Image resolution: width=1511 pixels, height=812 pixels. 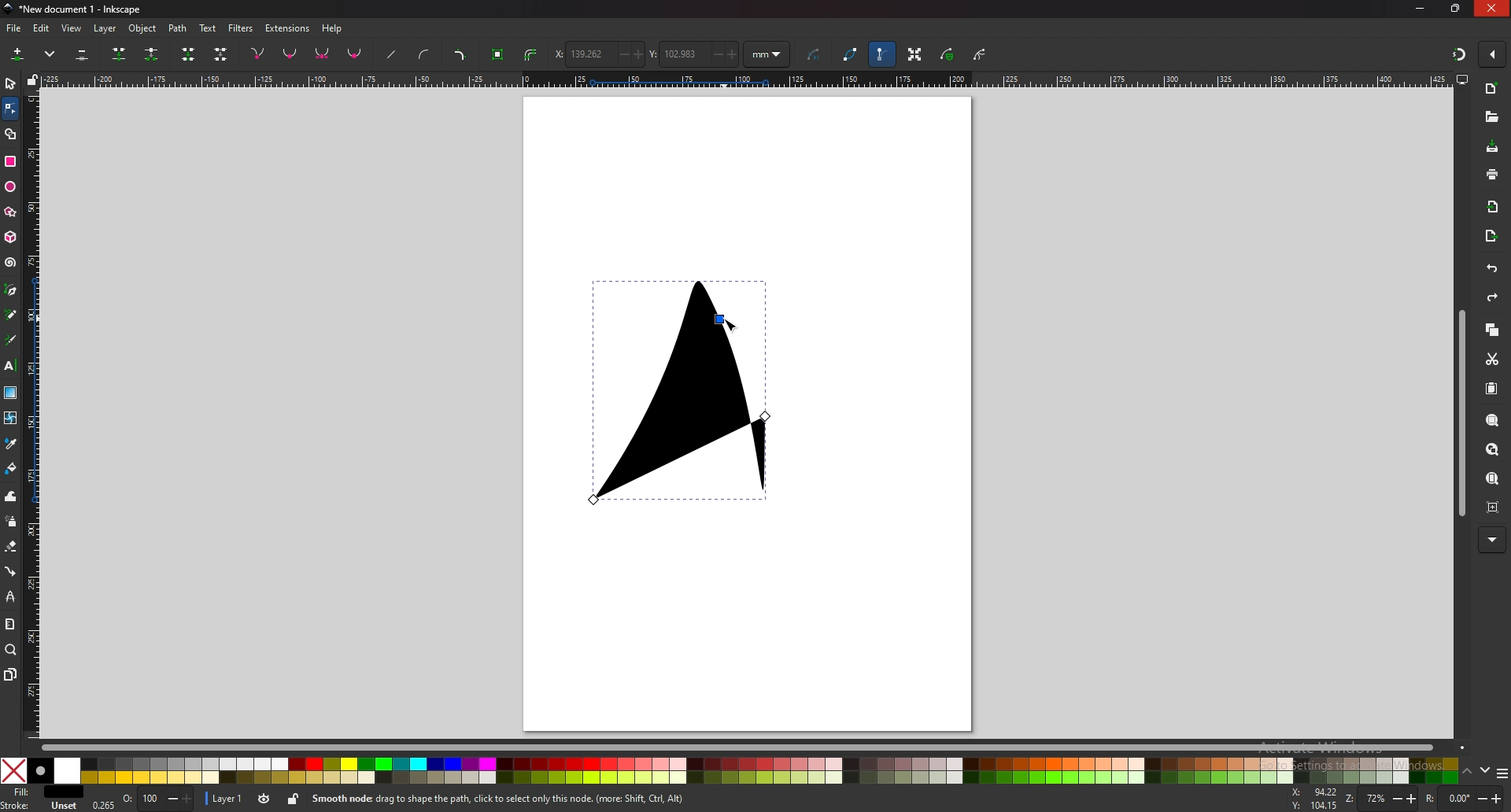 I want to click on redo, so click(x=1492, y=297).